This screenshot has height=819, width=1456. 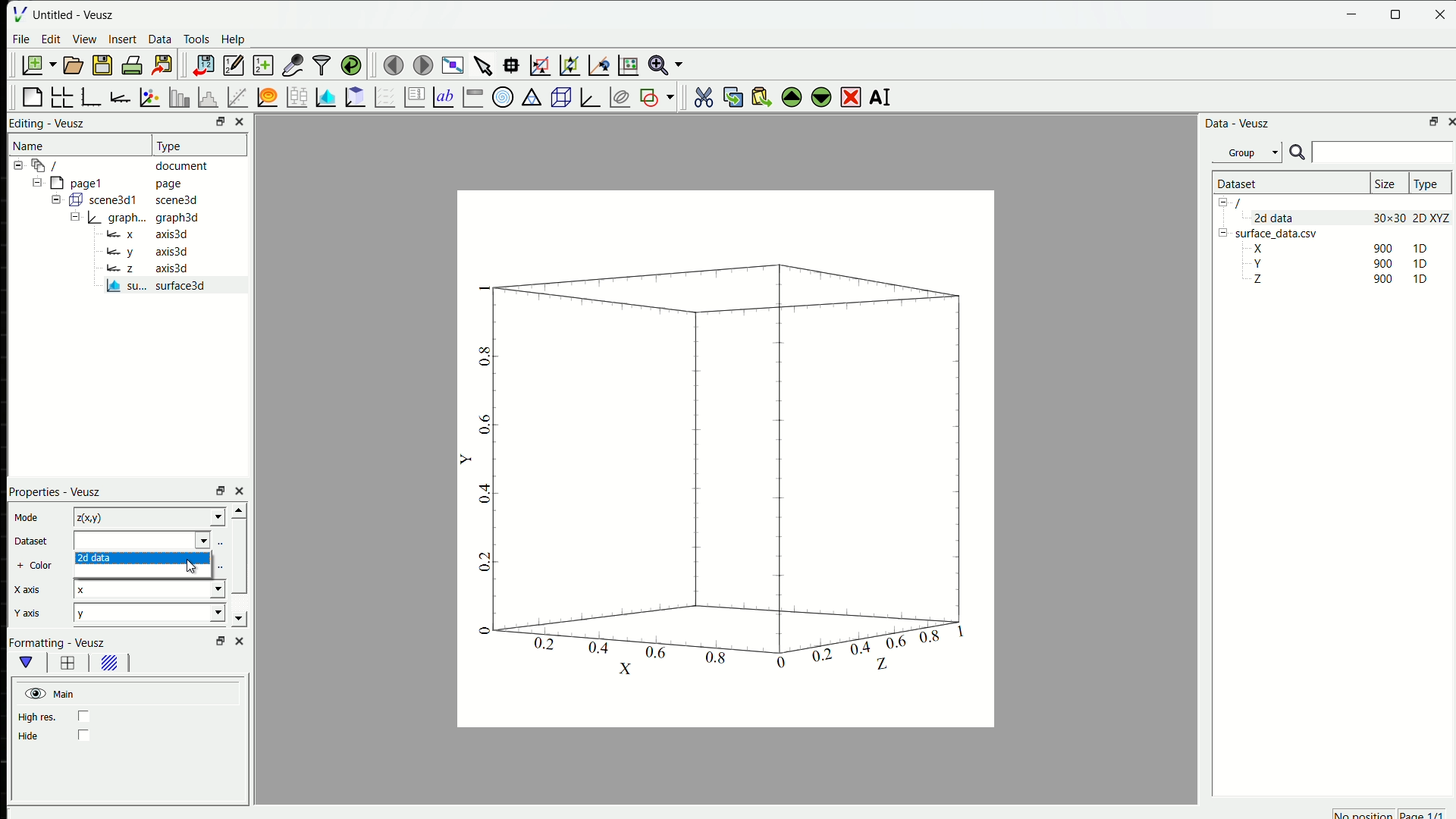 What do you see at coordinates (163, 64) in the screenshot?
I see `export to graphics formats` at bounding box center [163, 64].